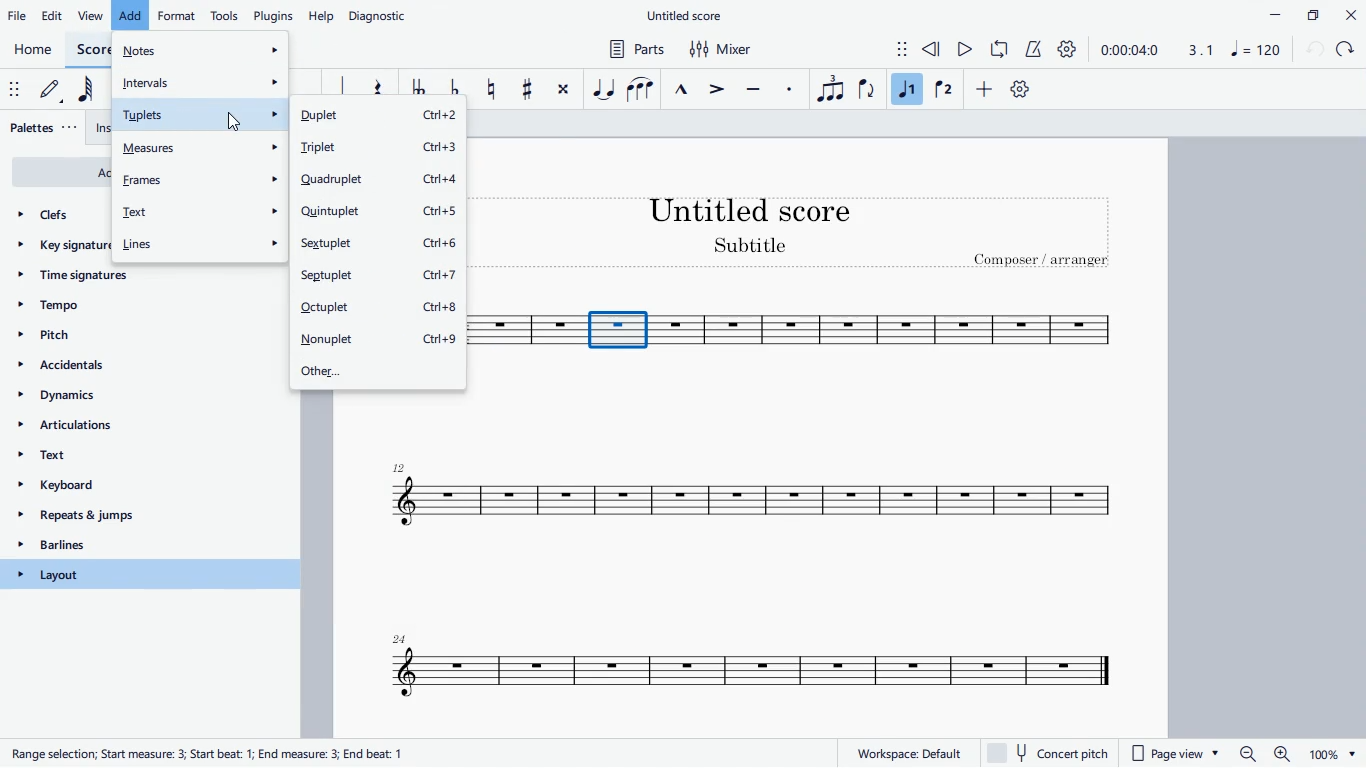 Image resolution: width=1366 pixels, height=768 pixels. What do you see at coordinates (92, 368) in the screenshot?
I see `accidentals` at bounding box center [92, 368].